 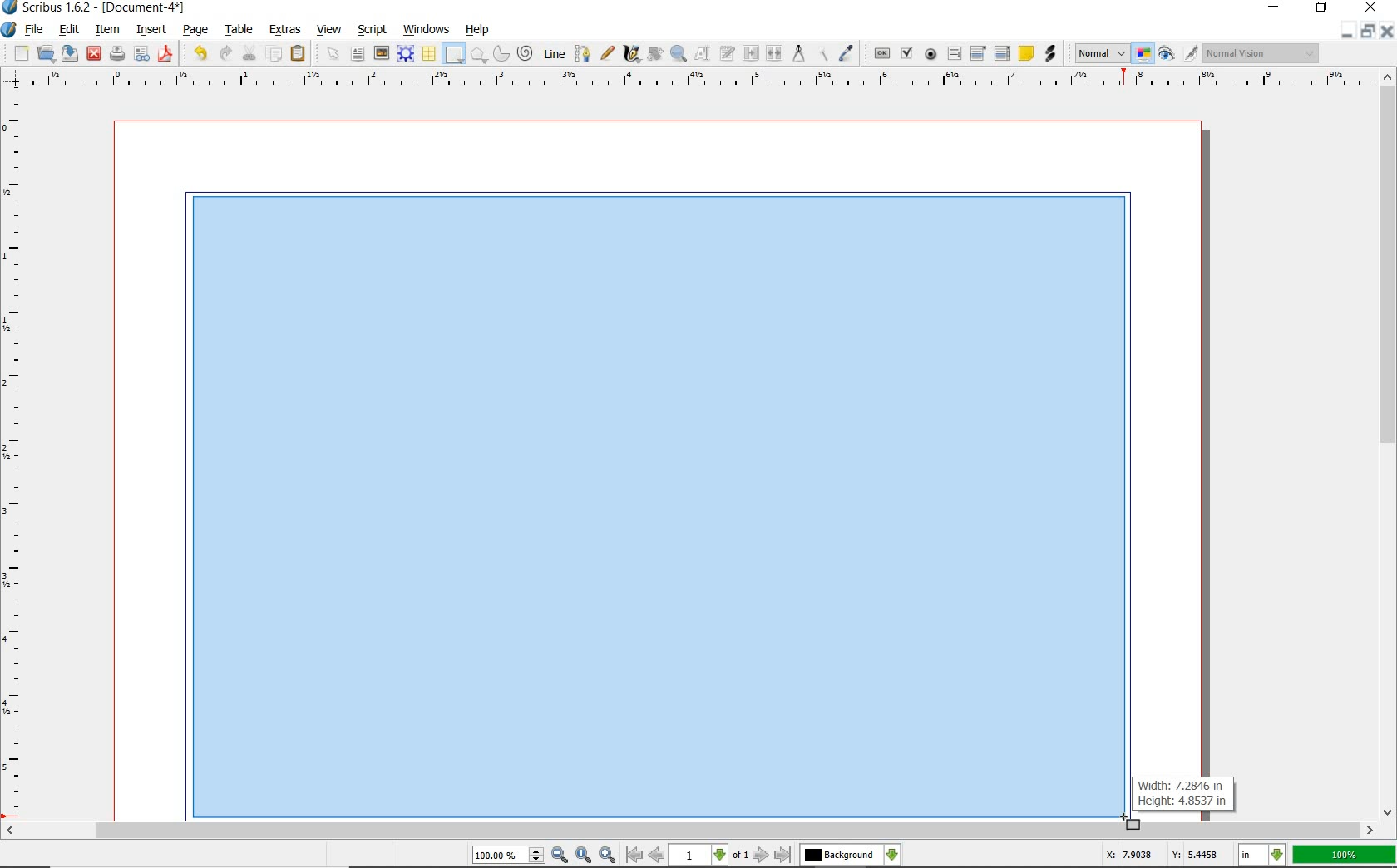 I want to click on scrollbar, so click(x=690, y=830).